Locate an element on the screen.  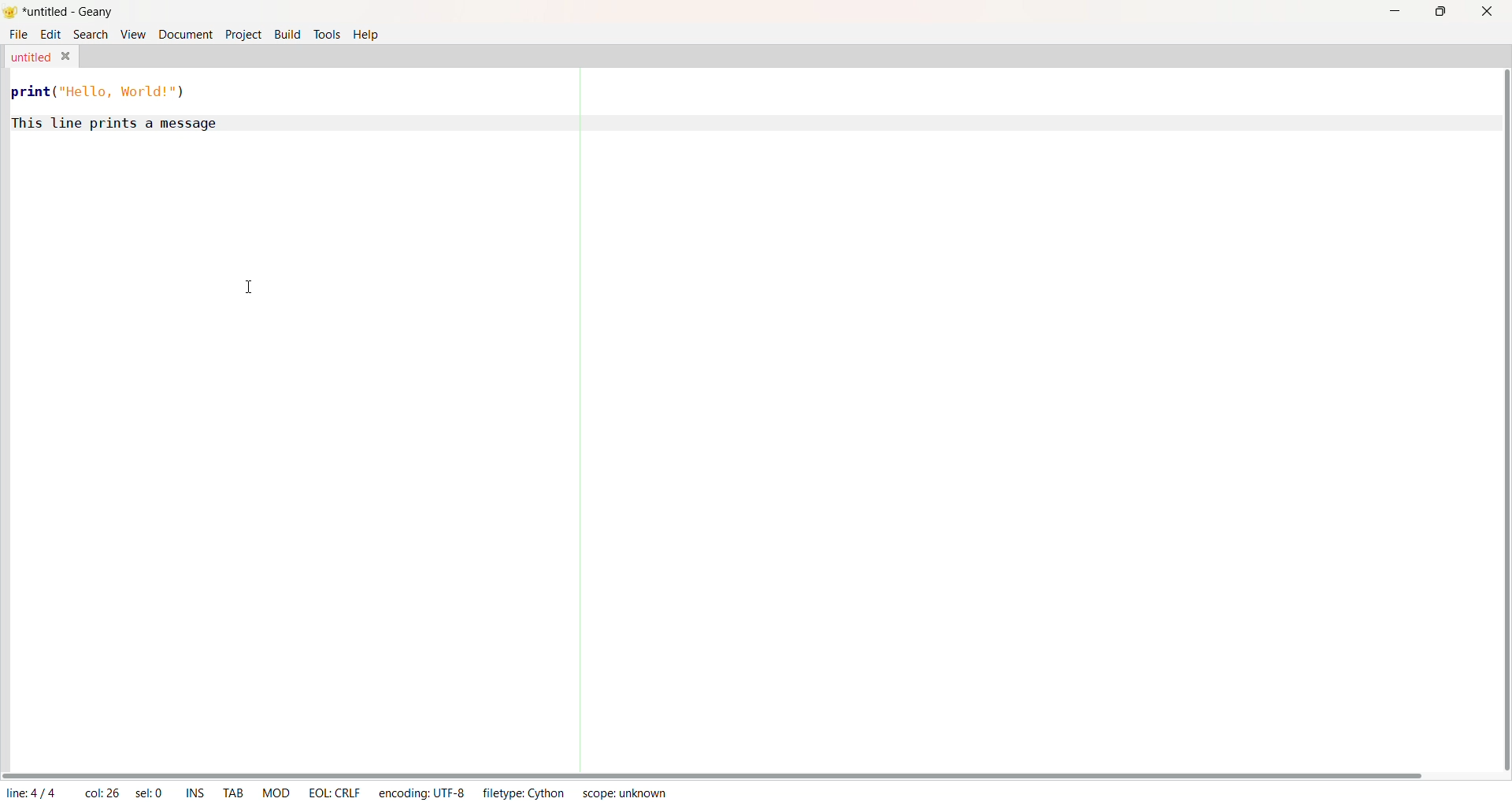
mod is located at coordinates (274, 793).